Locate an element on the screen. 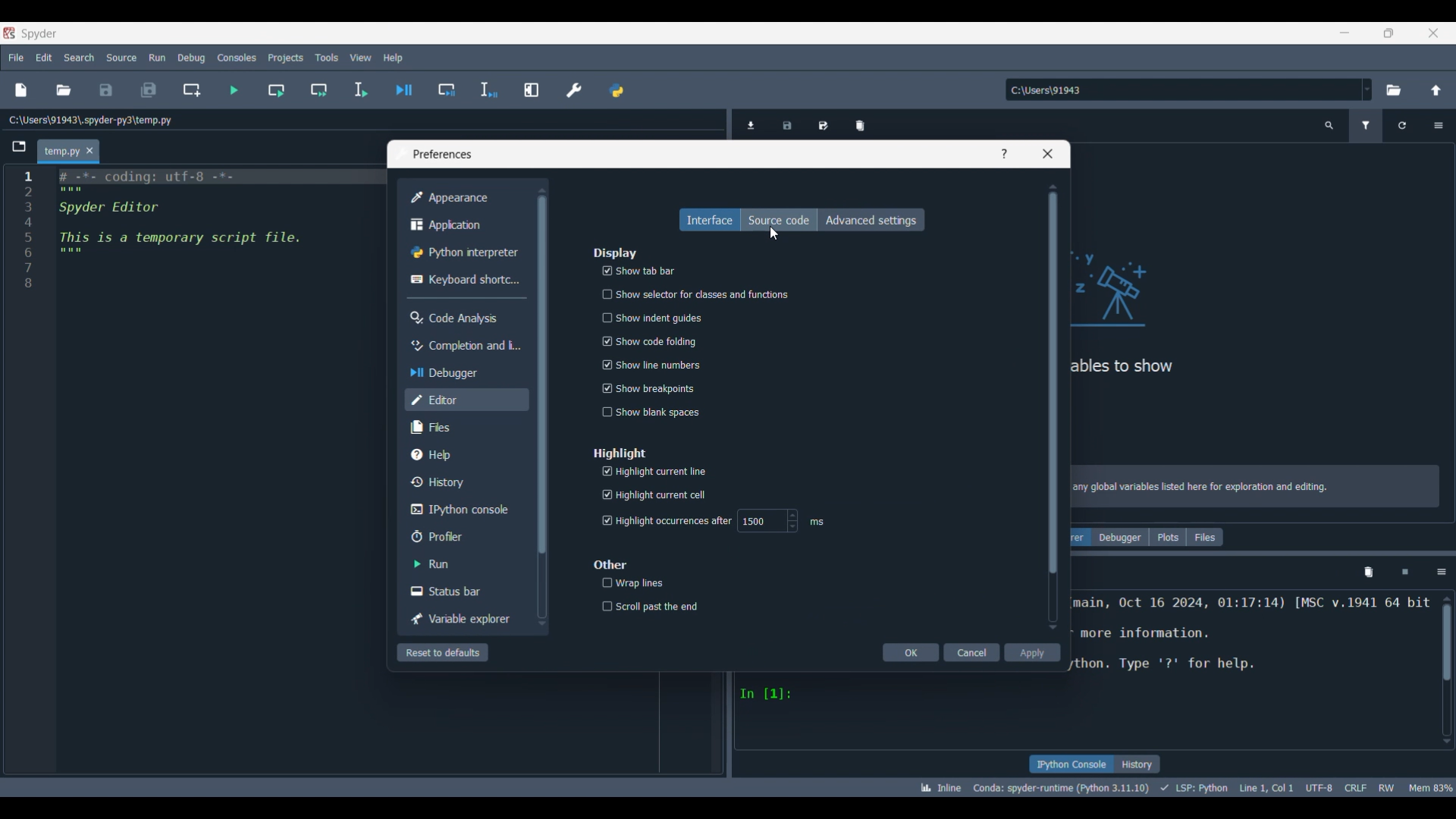 Image resolution: width=1456 pixels, height=819 pixels. Projects menu is located at coordinates (286, 58).